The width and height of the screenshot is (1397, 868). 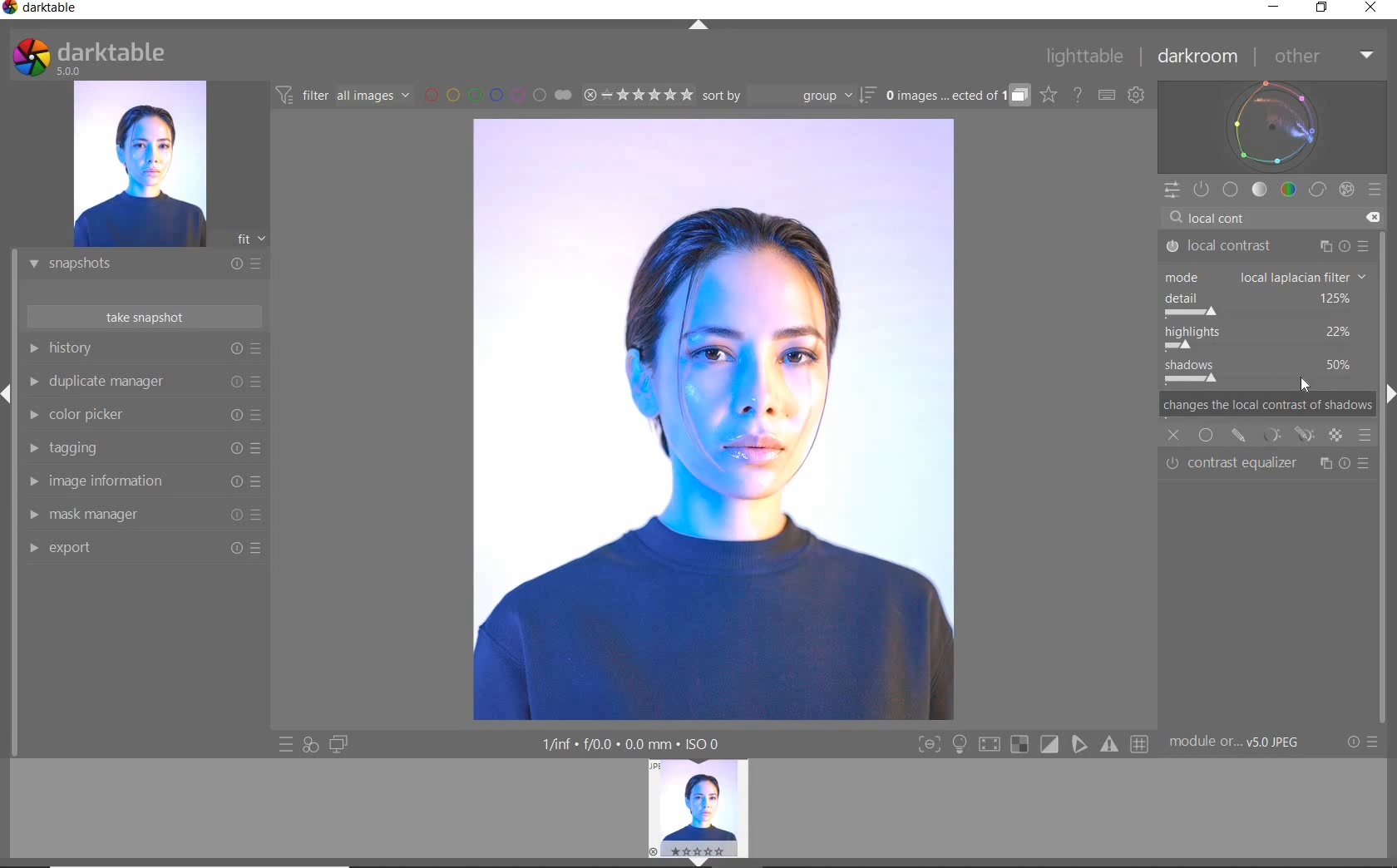 What do you see at coordinates (1388, 392) in the screenshot?
I see `Expand/Collapse` at bounding box center [1388, 392].